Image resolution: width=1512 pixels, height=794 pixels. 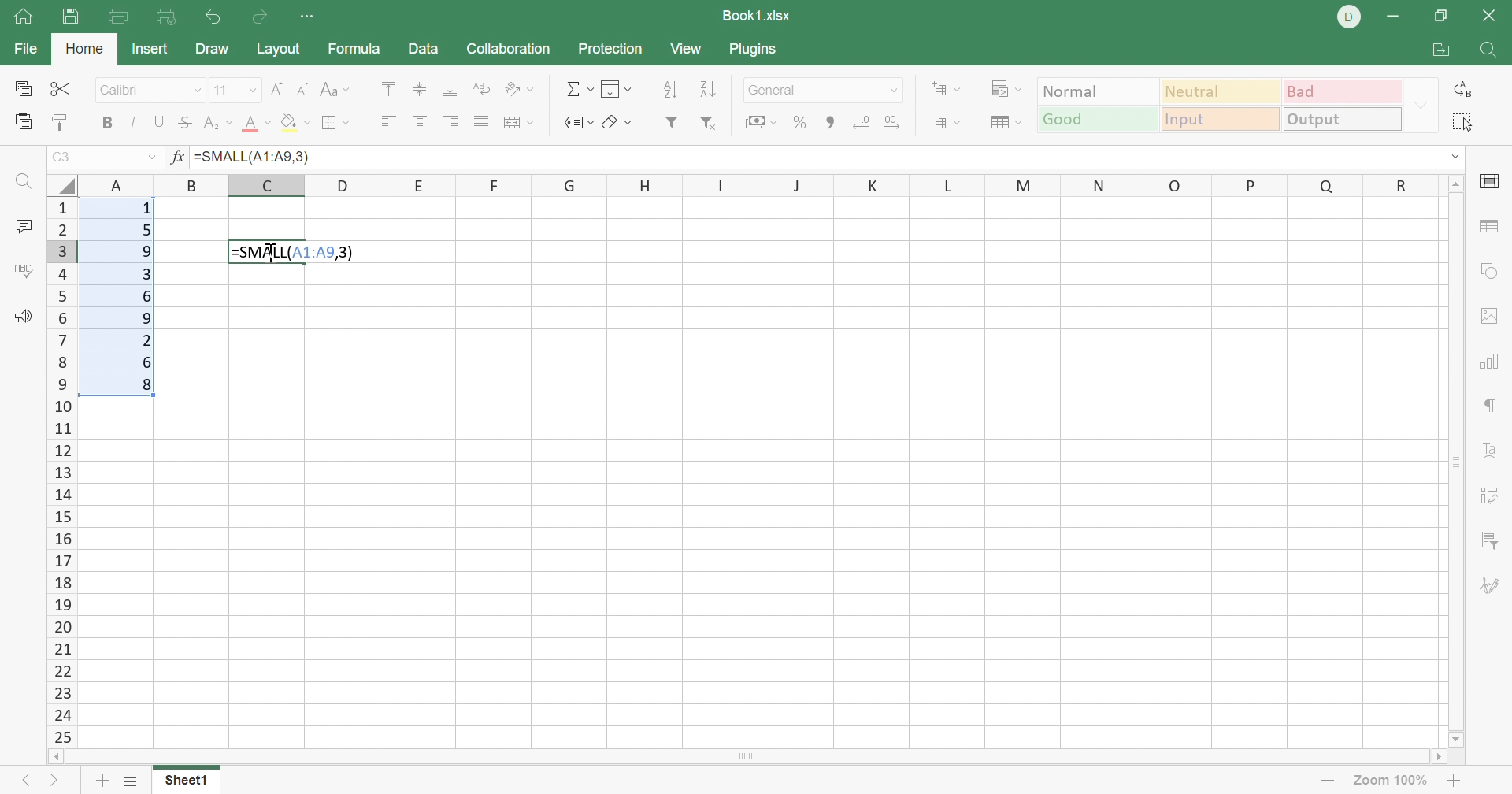 I want to click on Row, so click(x=765, y=186).